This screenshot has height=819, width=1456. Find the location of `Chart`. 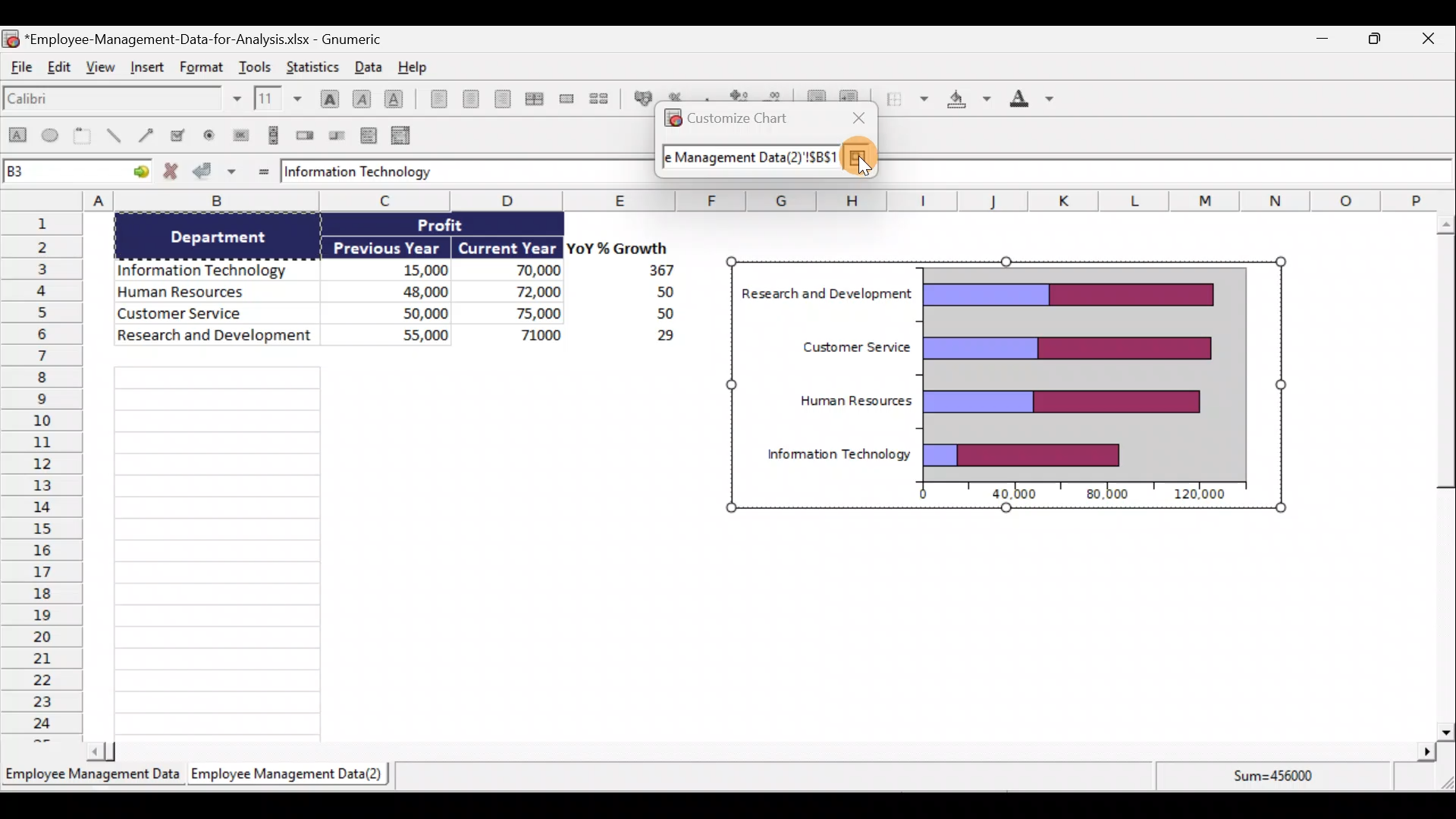

Chart is located at coordinates (1003, 385).